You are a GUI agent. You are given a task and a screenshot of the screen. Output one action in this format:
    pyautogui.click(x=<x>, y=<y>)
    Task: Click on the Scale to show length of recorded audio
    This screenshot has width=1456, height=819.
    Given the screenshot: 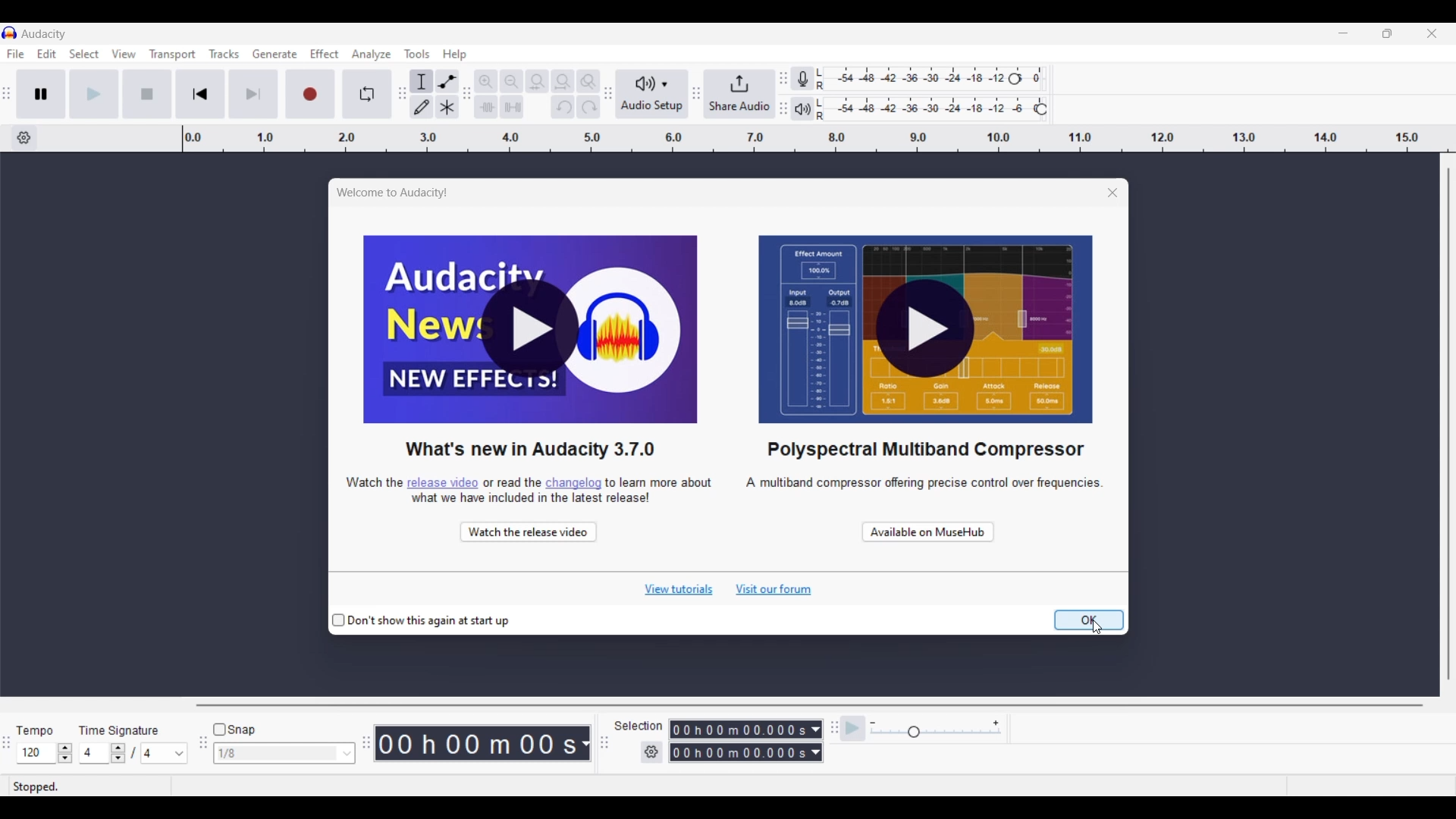 What is the action you would take?
    pyautogui.click(x=818, y=138)
    